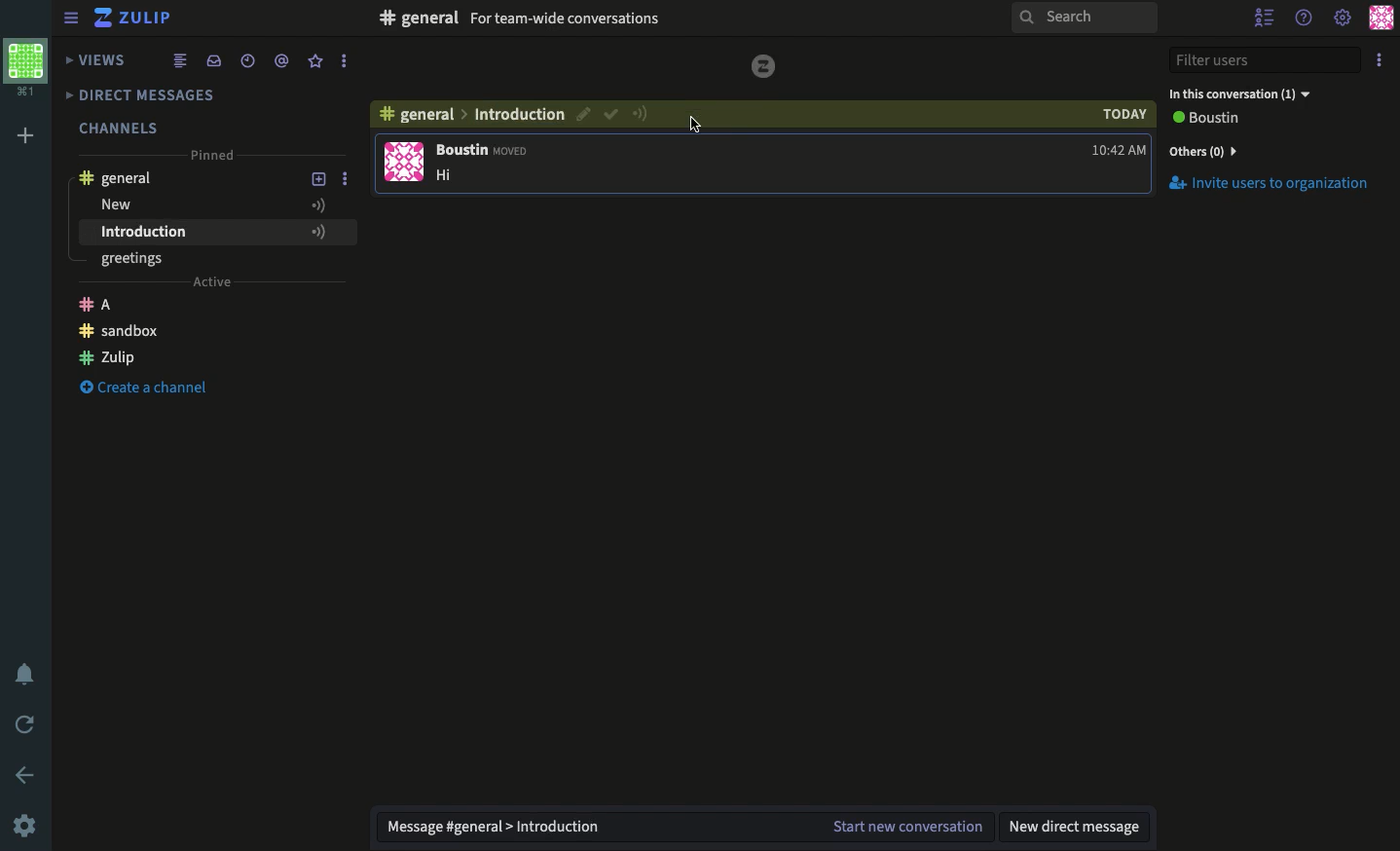  Describe the element at coordinates (159, 392) in the screenshot. I see `Create Channel` at that location.